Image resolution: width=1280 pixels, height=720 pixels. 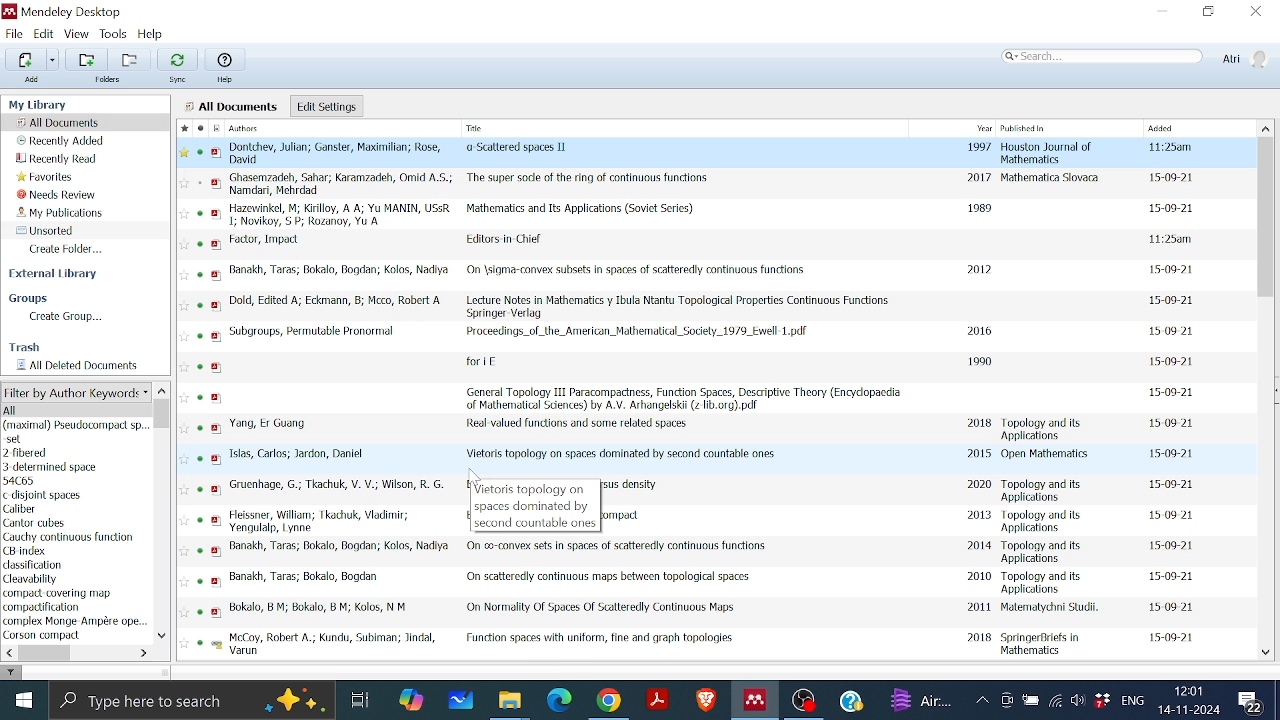 I want to click on date, so click(x=1169, y=423).